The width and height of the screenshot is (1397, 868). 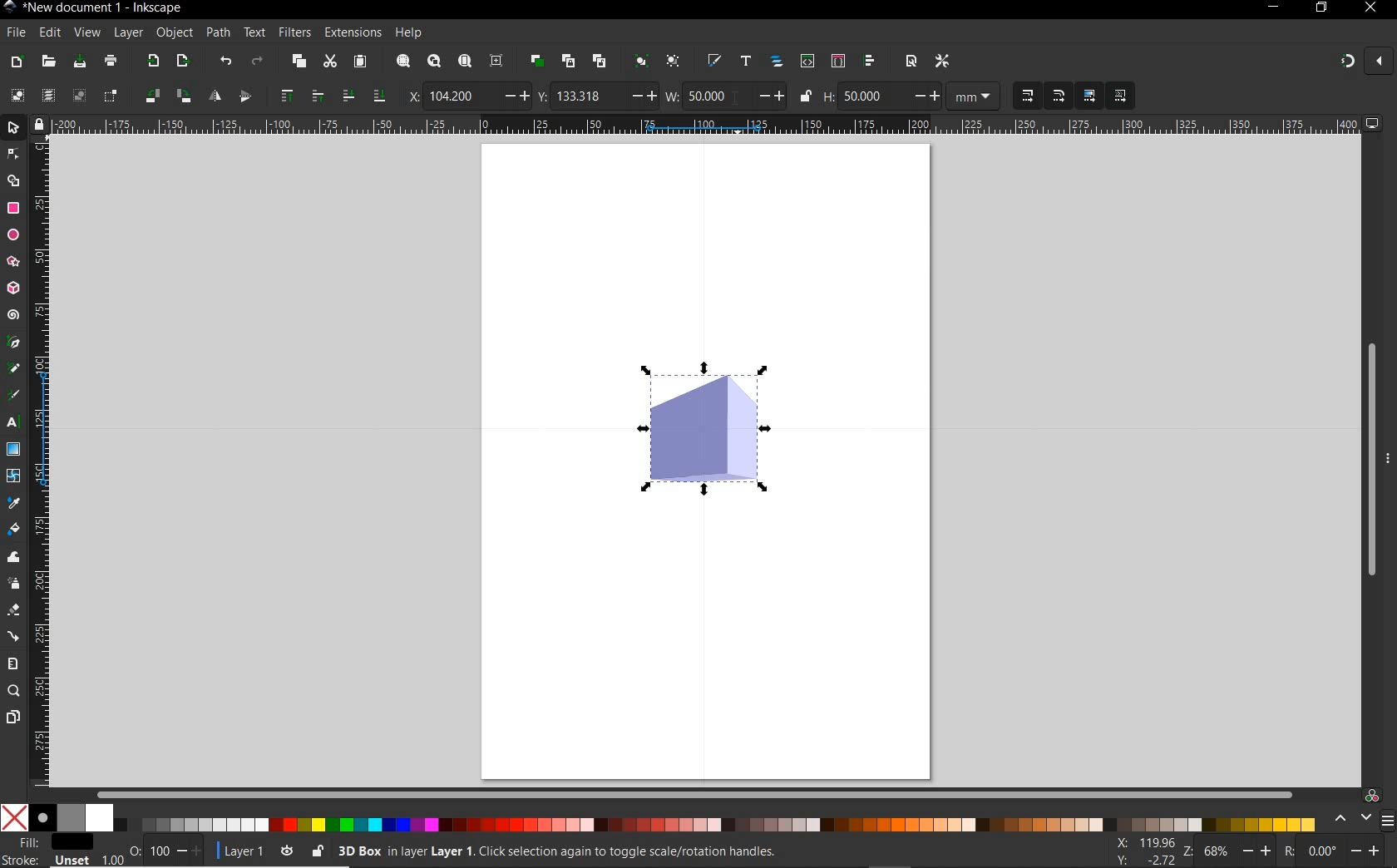 What do you see at coordinates (258, 60) in the screenshot?
I see `redo` at bounding box center [258, 60].